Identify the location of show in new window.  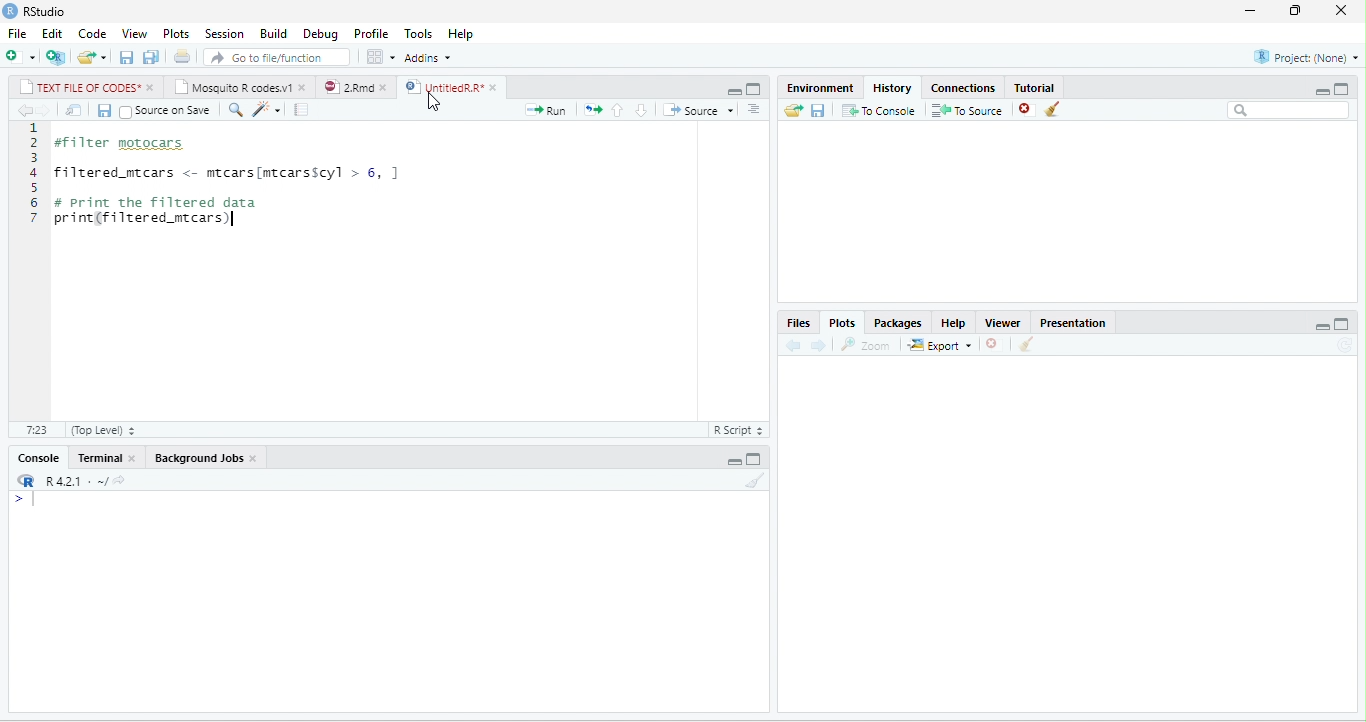
(74, 110).